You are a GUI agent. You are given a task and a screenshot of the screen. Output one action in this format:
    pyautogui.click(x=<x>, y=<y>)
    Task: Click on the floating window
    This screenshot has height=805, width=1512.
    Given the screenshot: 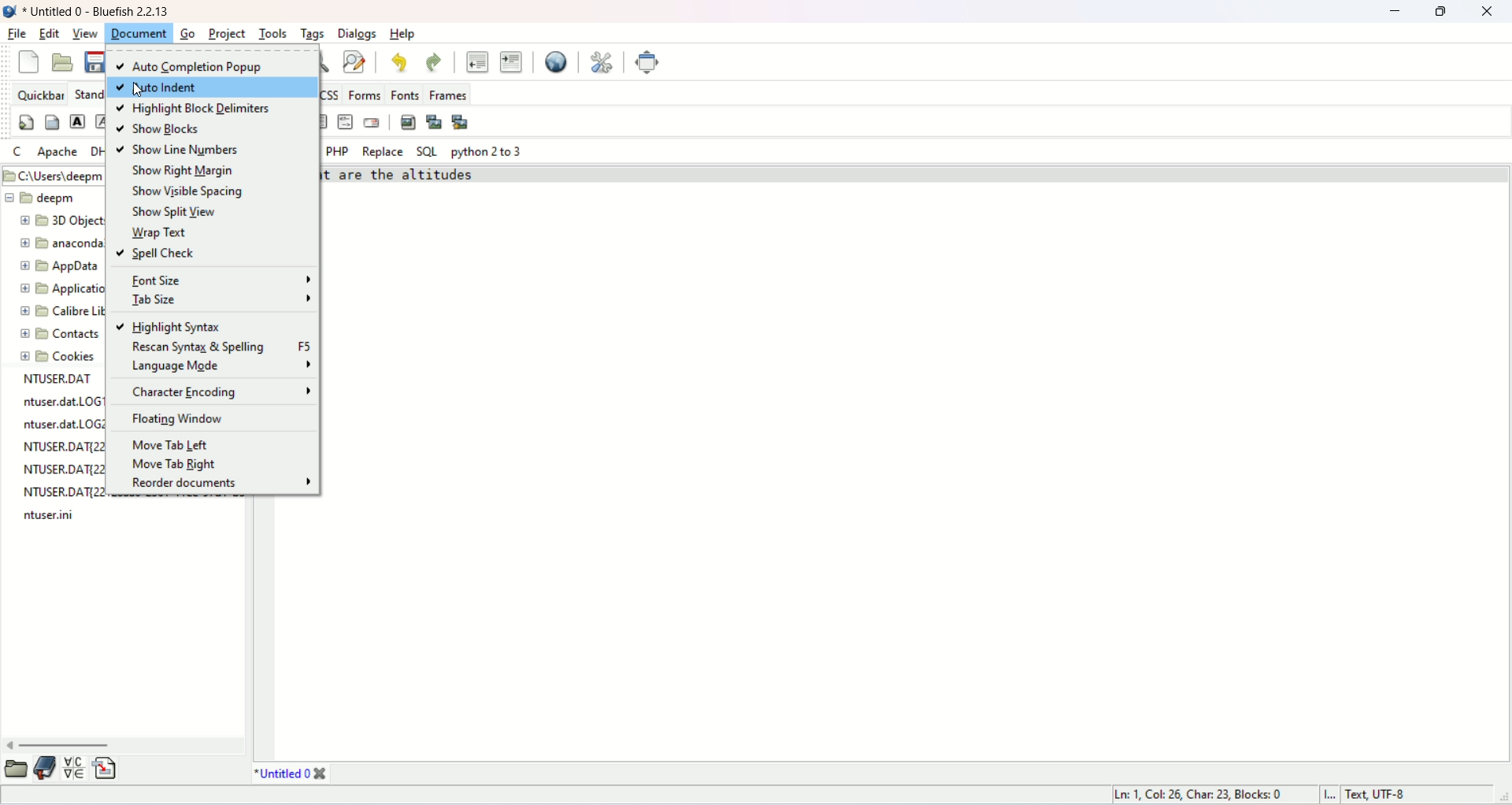 What is the action you would take?
    pyautogui.click(x=178, y=420)
    